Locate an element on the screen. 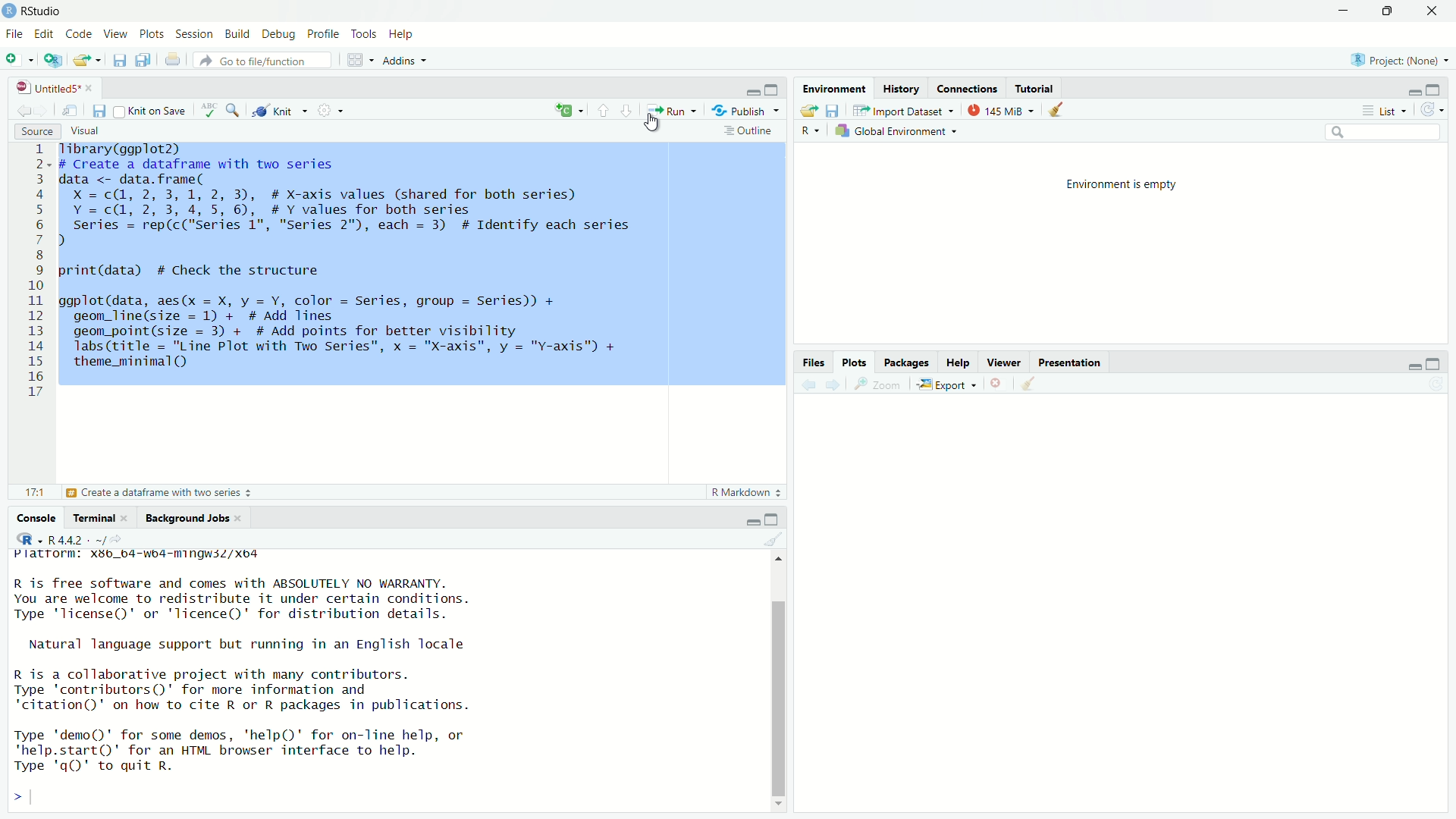 The image size is (1456, 819). Pacakges is located at coordinates (905, 362).